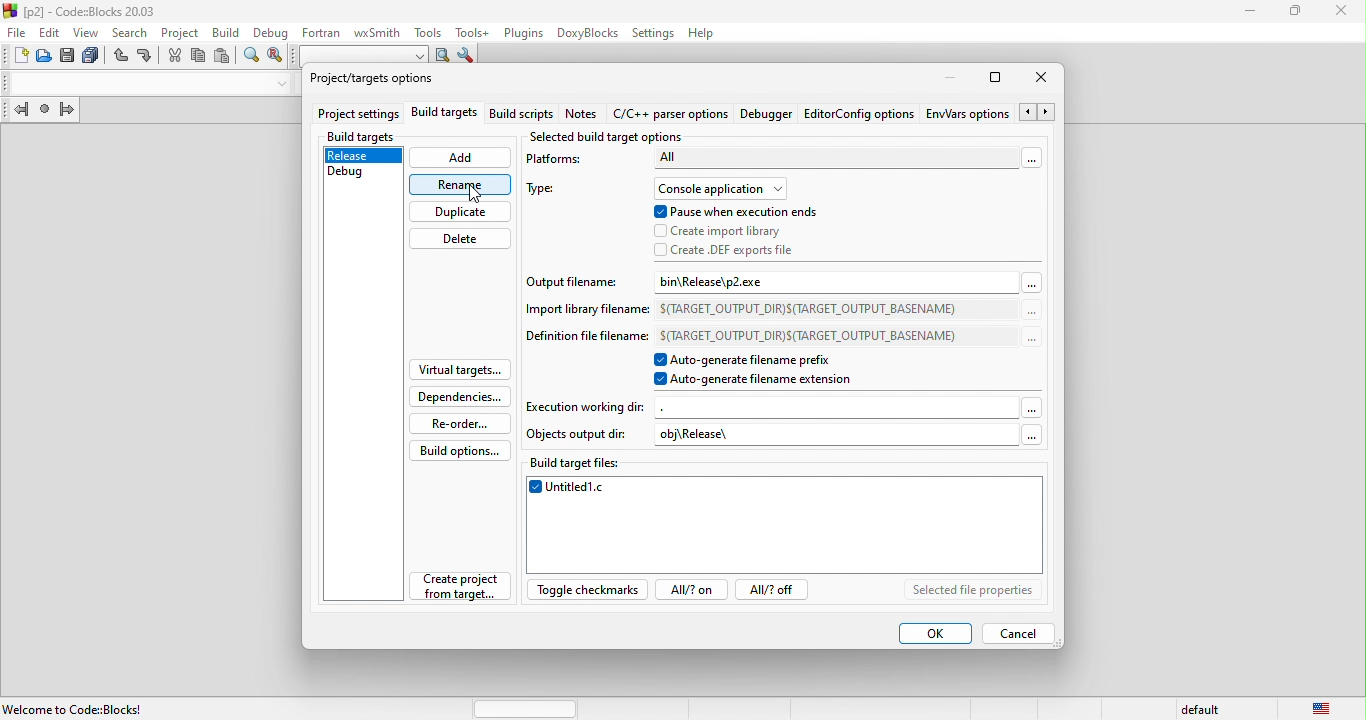  Describe the element at coordinates (466, 57) in the screenshot. I see `show options window` at that location.